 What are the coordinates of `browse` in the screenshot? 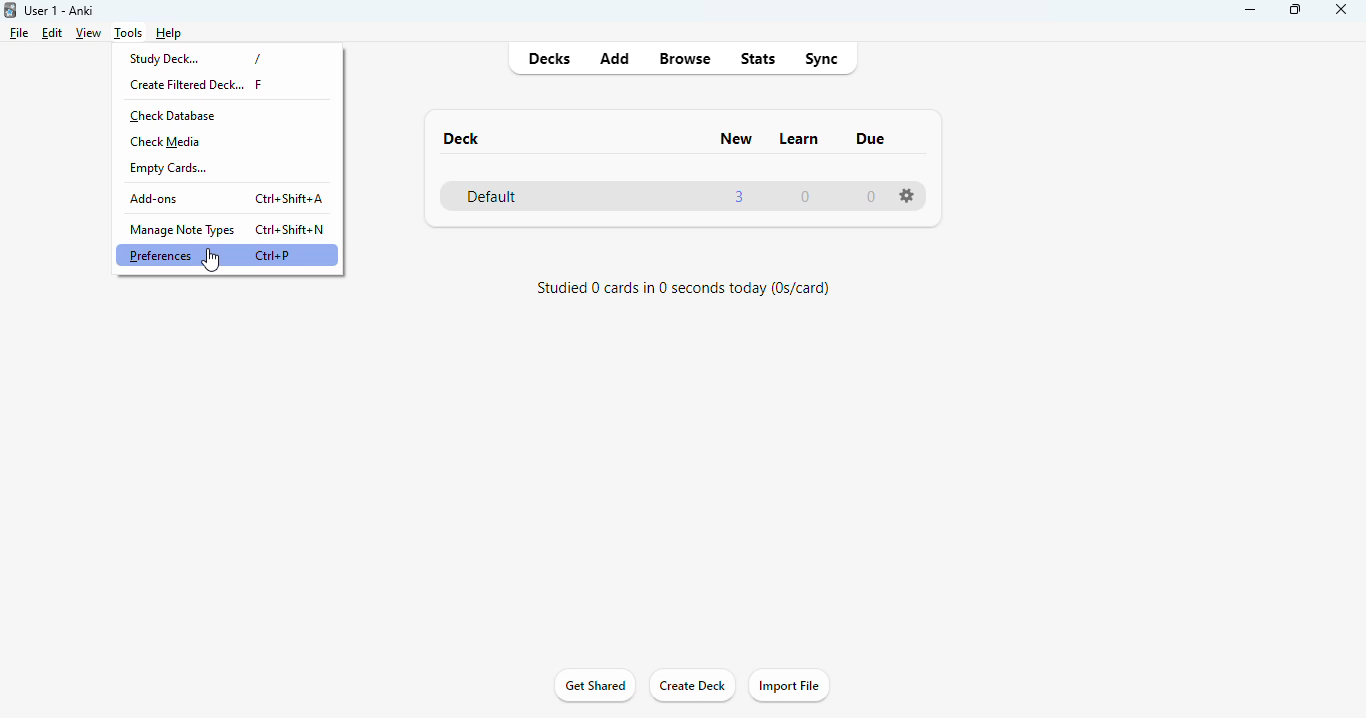 It's located at (685, 60).